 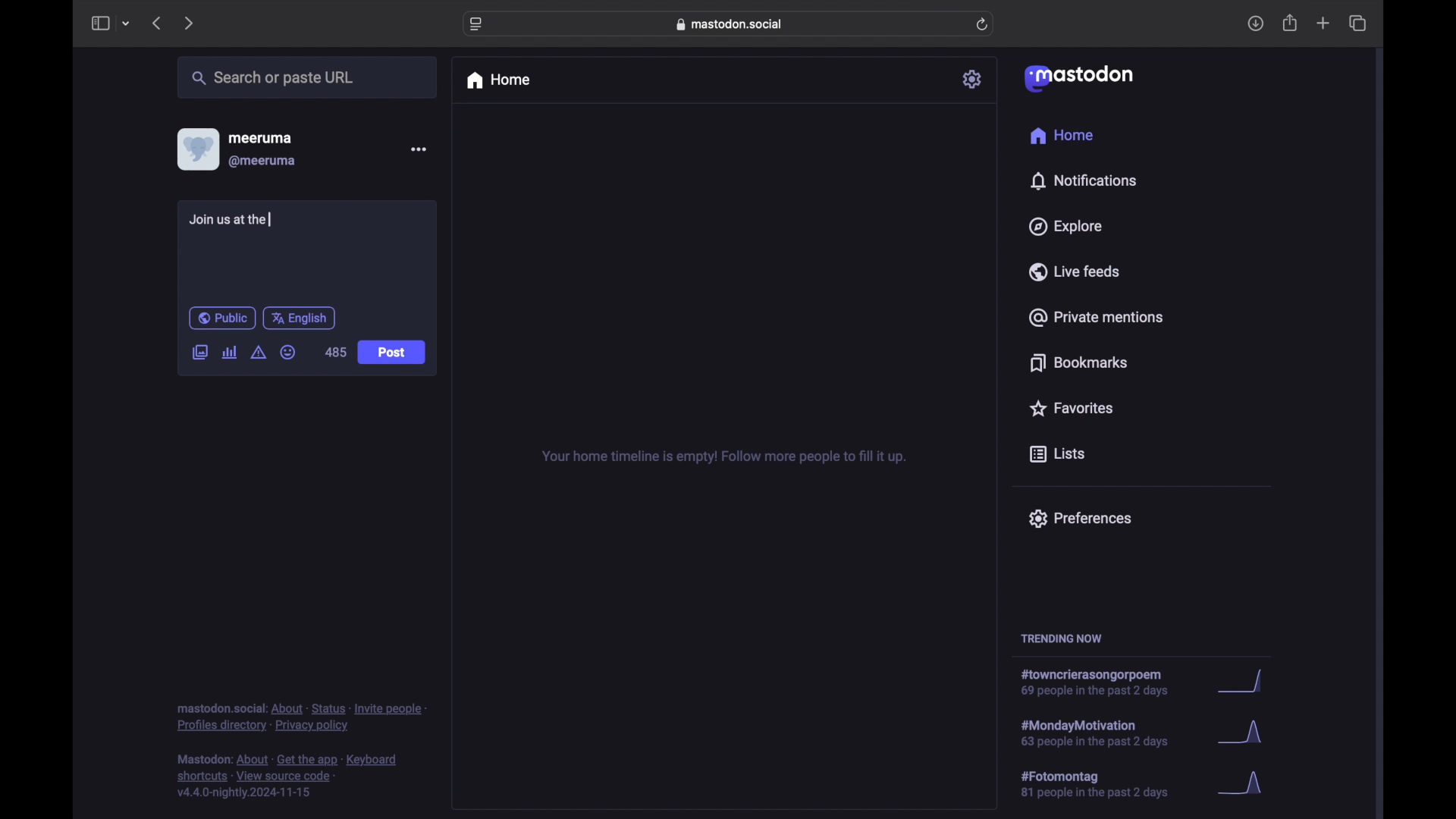 I want to click on home, so click(x=1061, y=136).